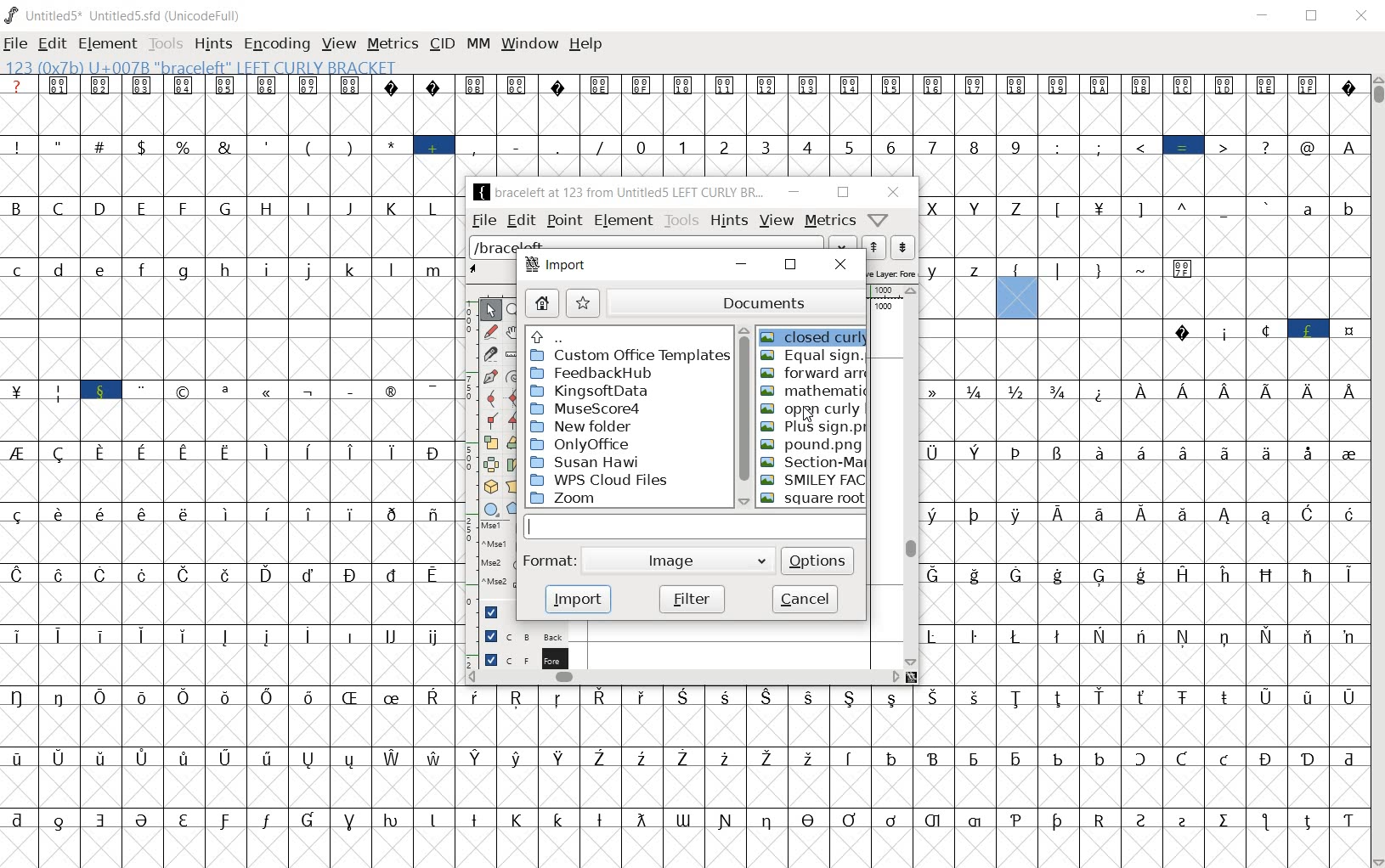 Image resolution: width=1385 pixels, height=868 pixels. What do you see at coordinates (829, 222) in the screenshot?
I see `metrics` at bounding box center [829, 222].